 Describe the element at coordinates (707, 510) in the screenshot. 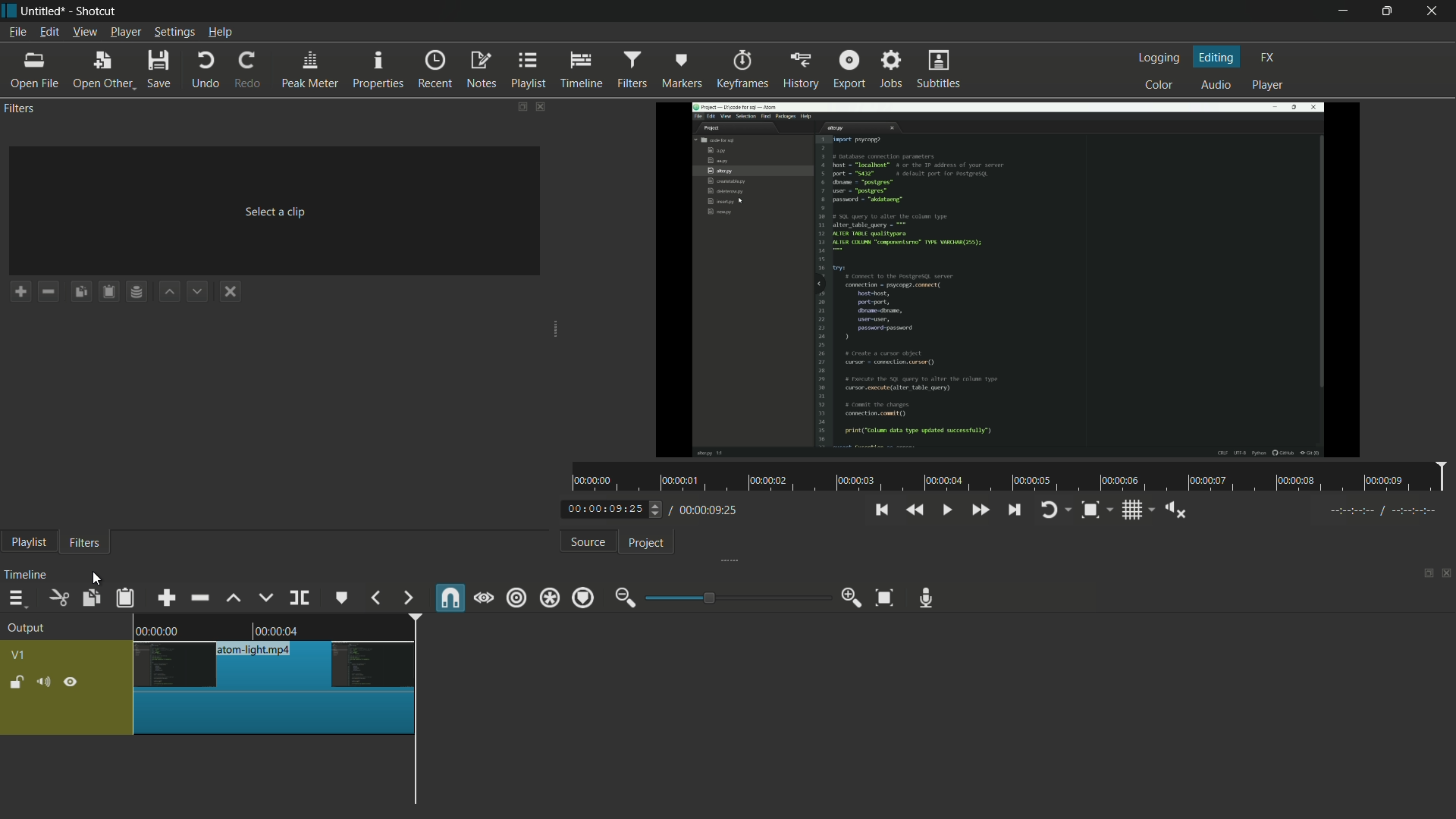

I see `total time` at that location.